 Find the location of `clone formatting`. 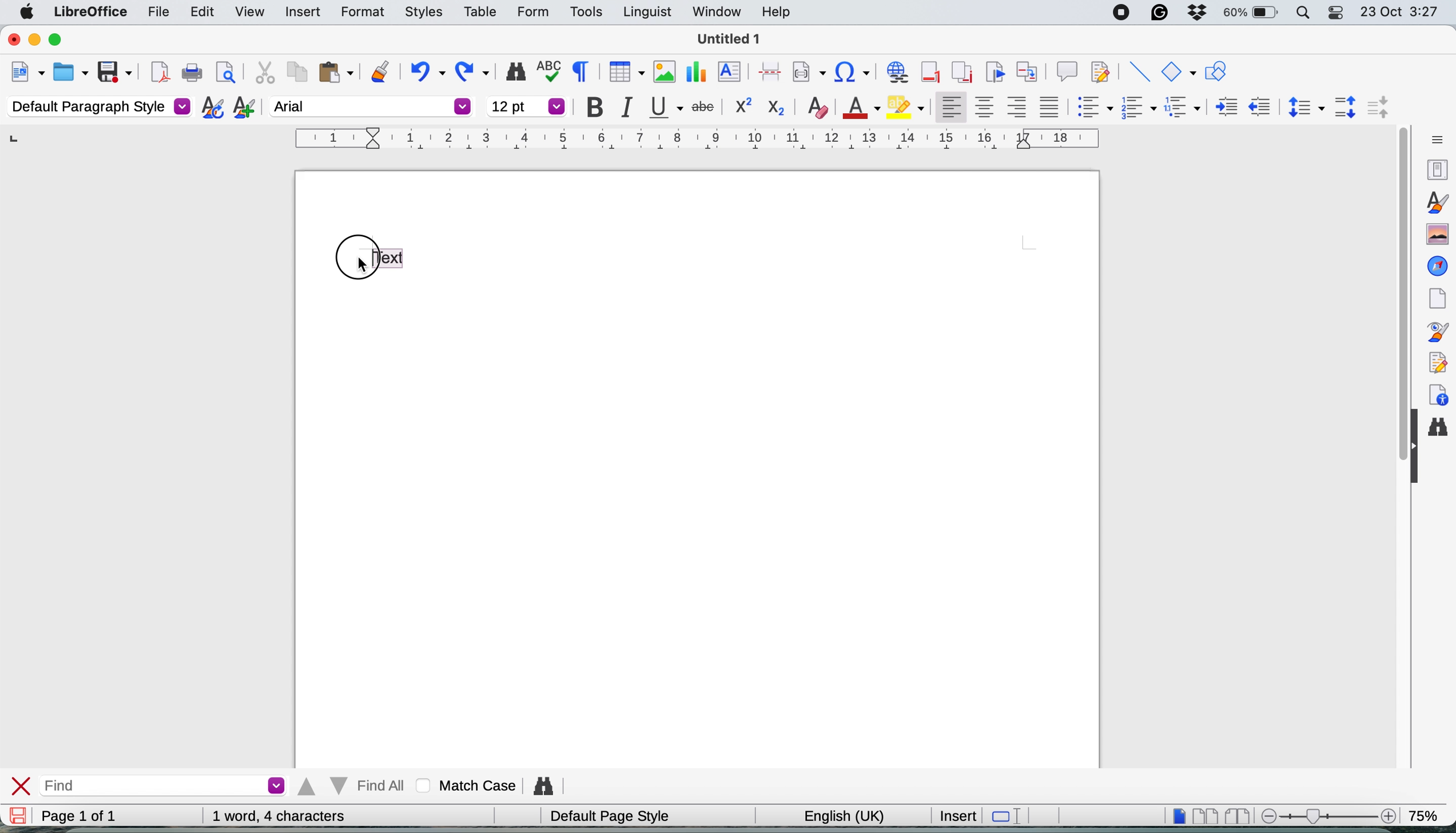

clone formatting is located at coordinates (379, 72).